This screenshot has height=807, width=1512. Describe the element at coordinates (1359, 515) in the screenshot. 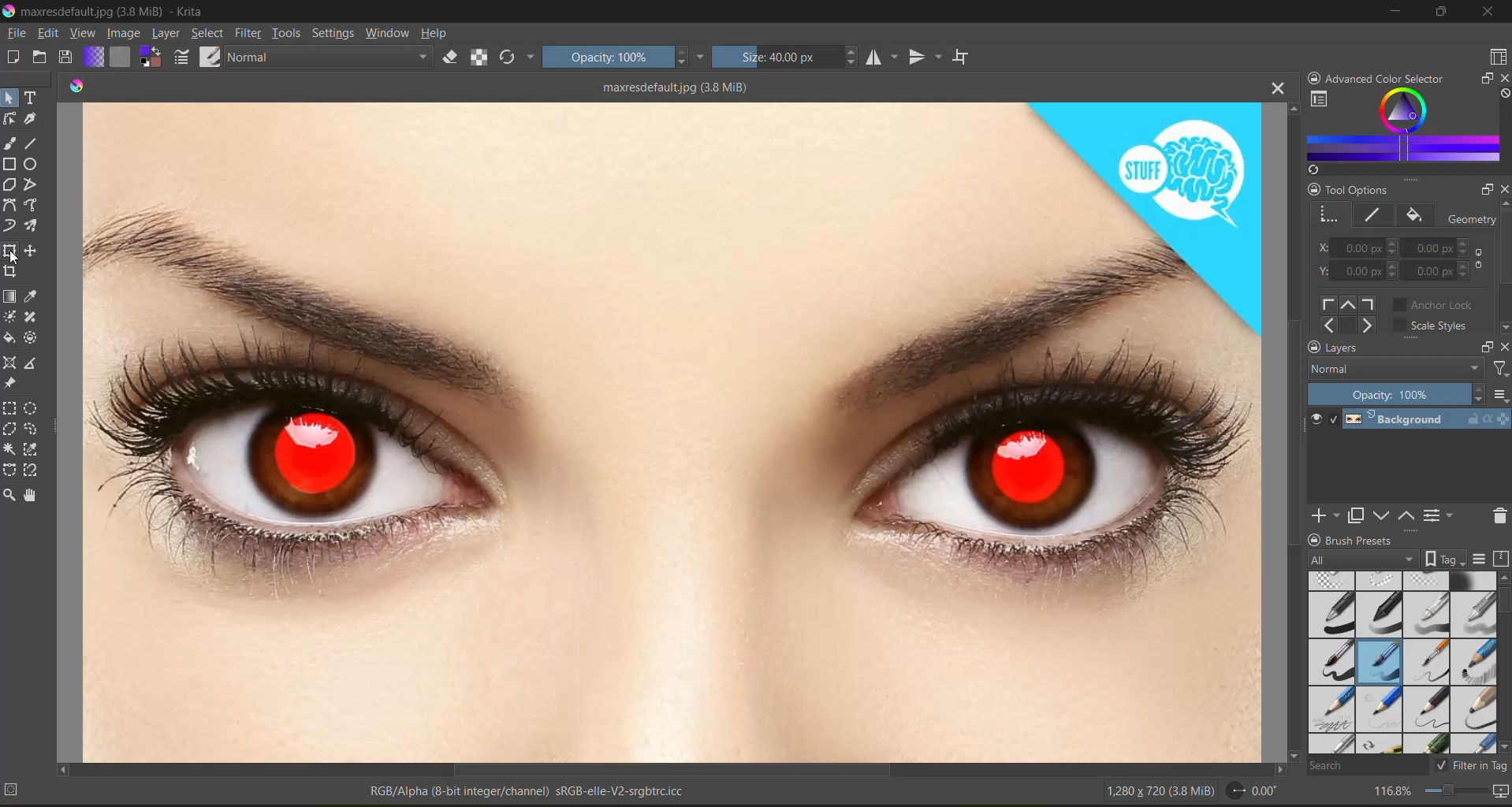

I see `duplicate layer or mask` at that location.